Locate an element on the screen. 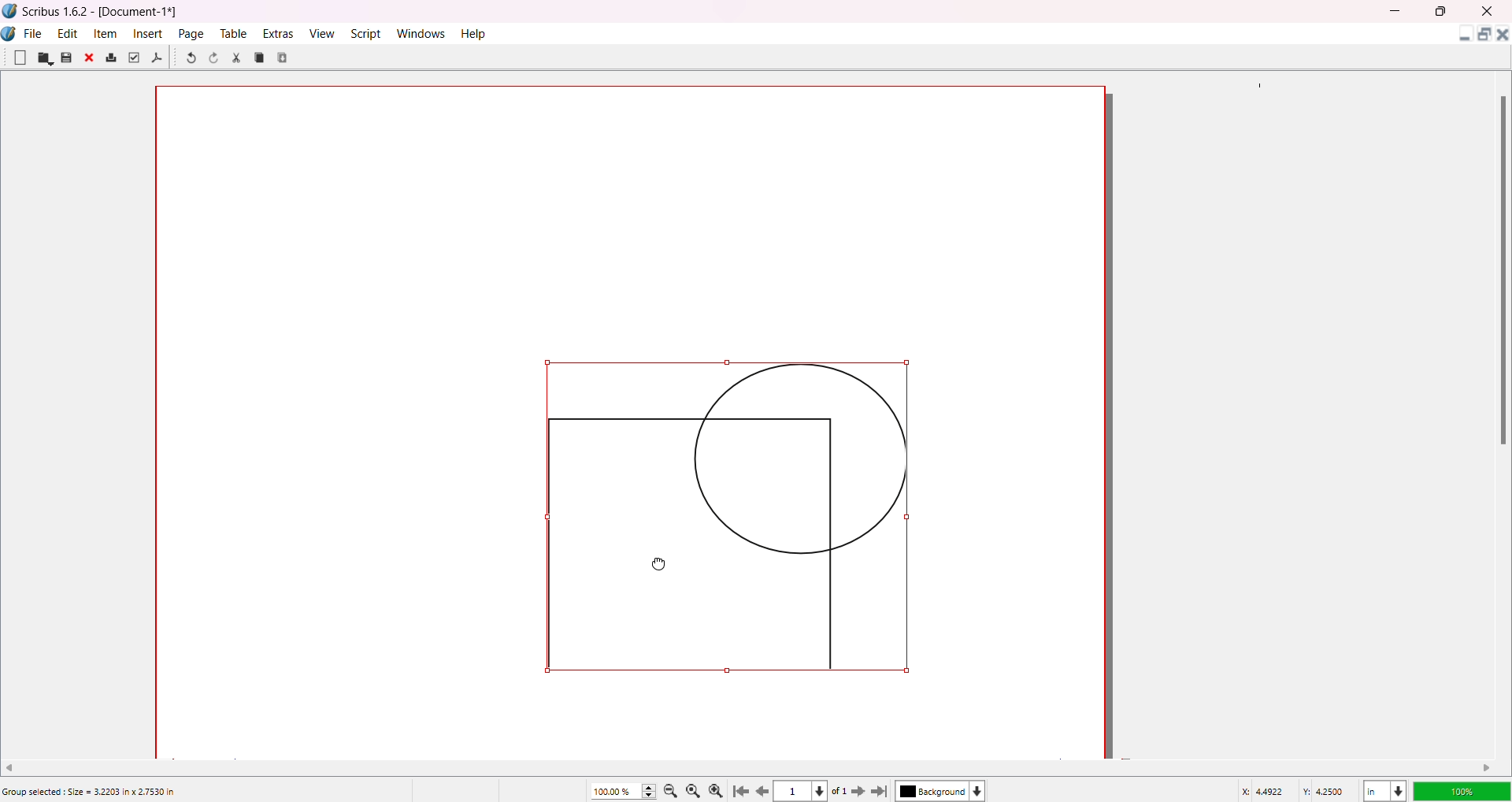 The width and height of the screenshot is (1512, 802). Script is located at coordinates (368, 32).